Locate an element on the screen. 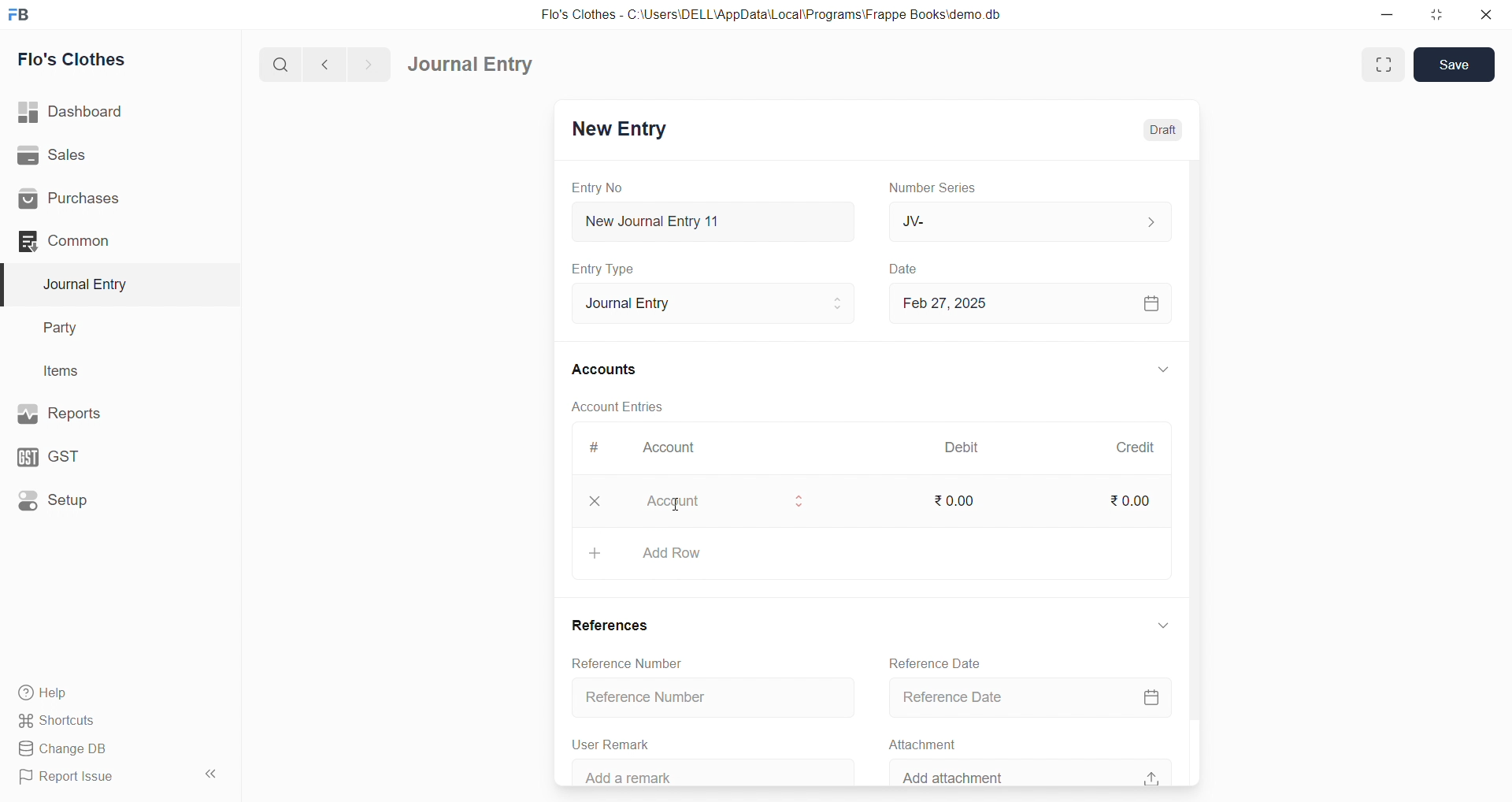  Fit window is located at coordinates (1381, 65).